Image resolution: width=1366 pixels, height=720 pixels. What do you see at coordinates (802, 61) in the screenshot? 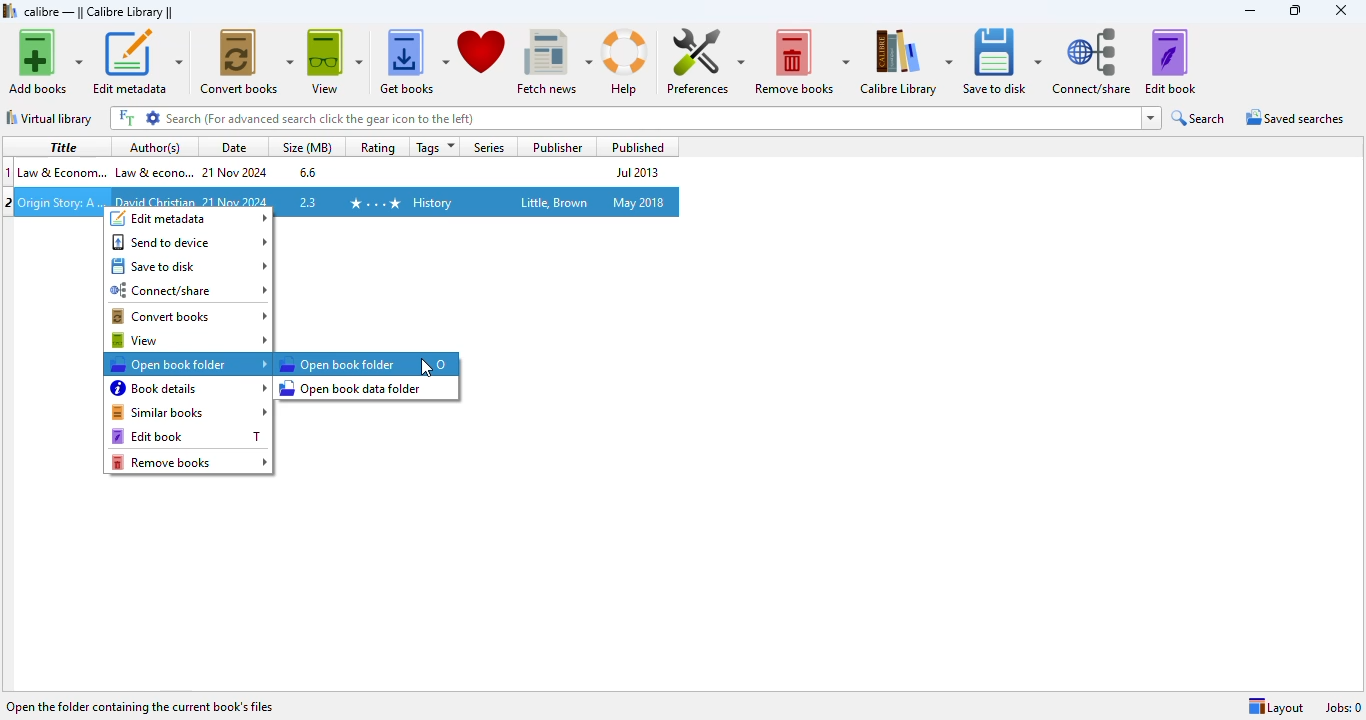
I see `remove books` at bounding box center [802, 61].